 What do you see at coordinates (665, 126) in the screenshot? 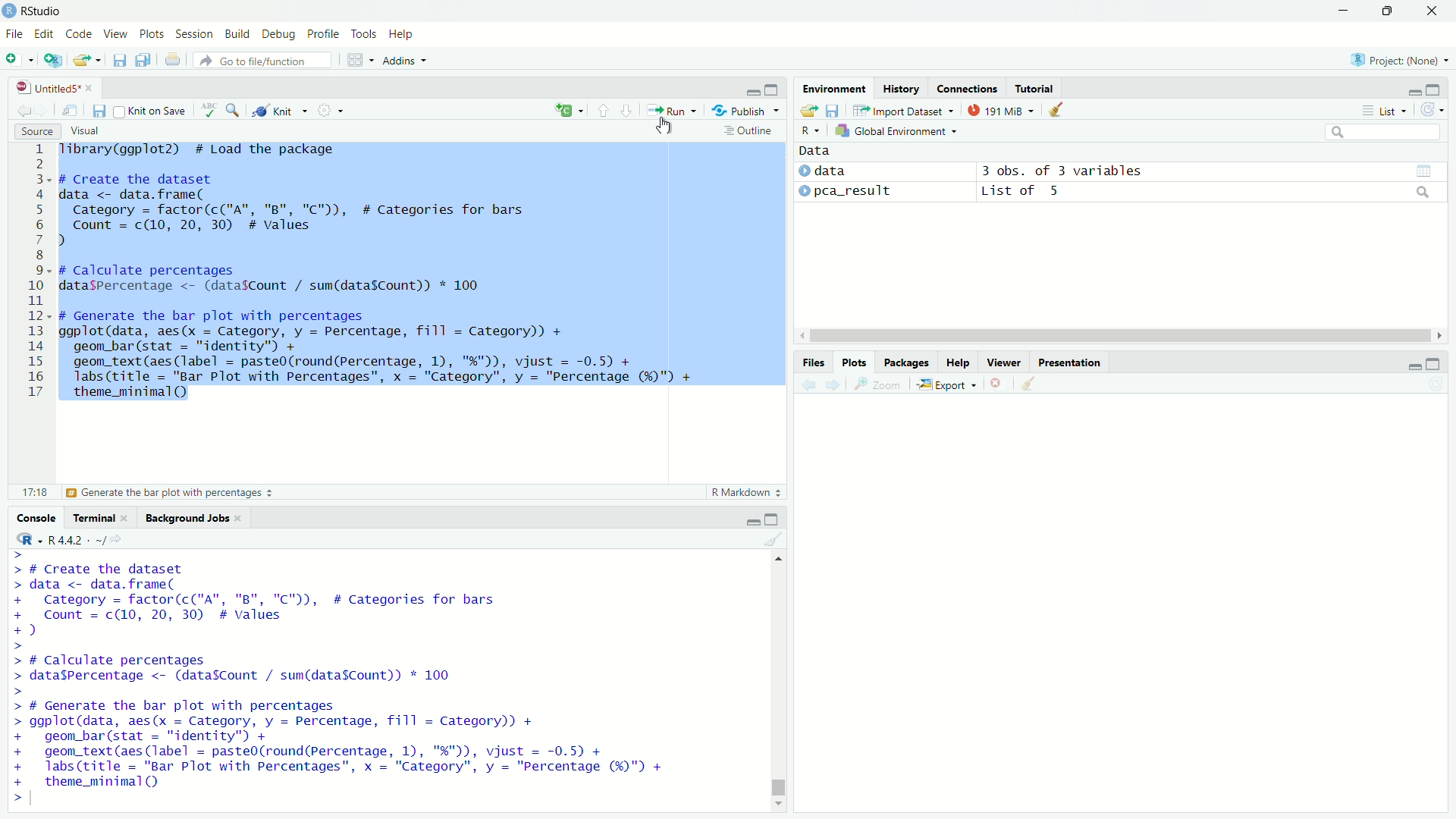
I see `cursor` at bounding box center [665, 126].